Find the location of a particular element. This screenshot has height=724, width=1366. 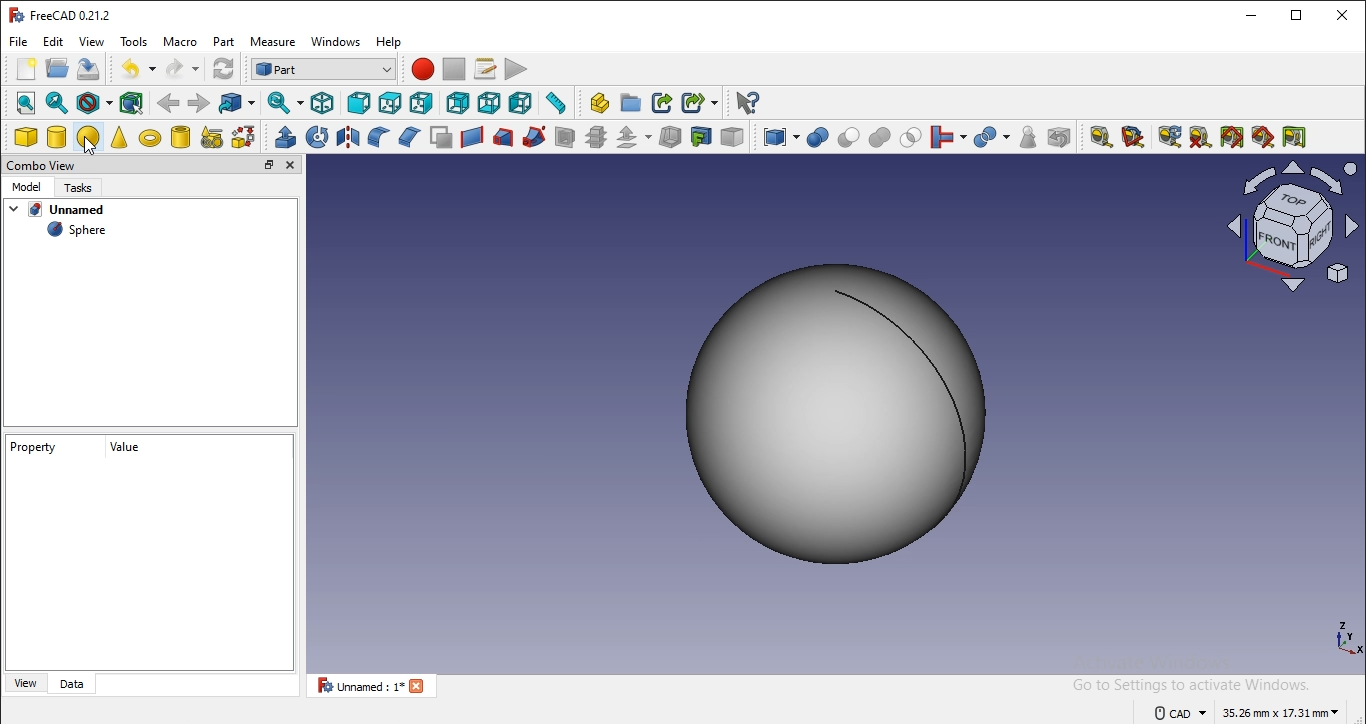

bounding box is located at coordinates (129, 103).